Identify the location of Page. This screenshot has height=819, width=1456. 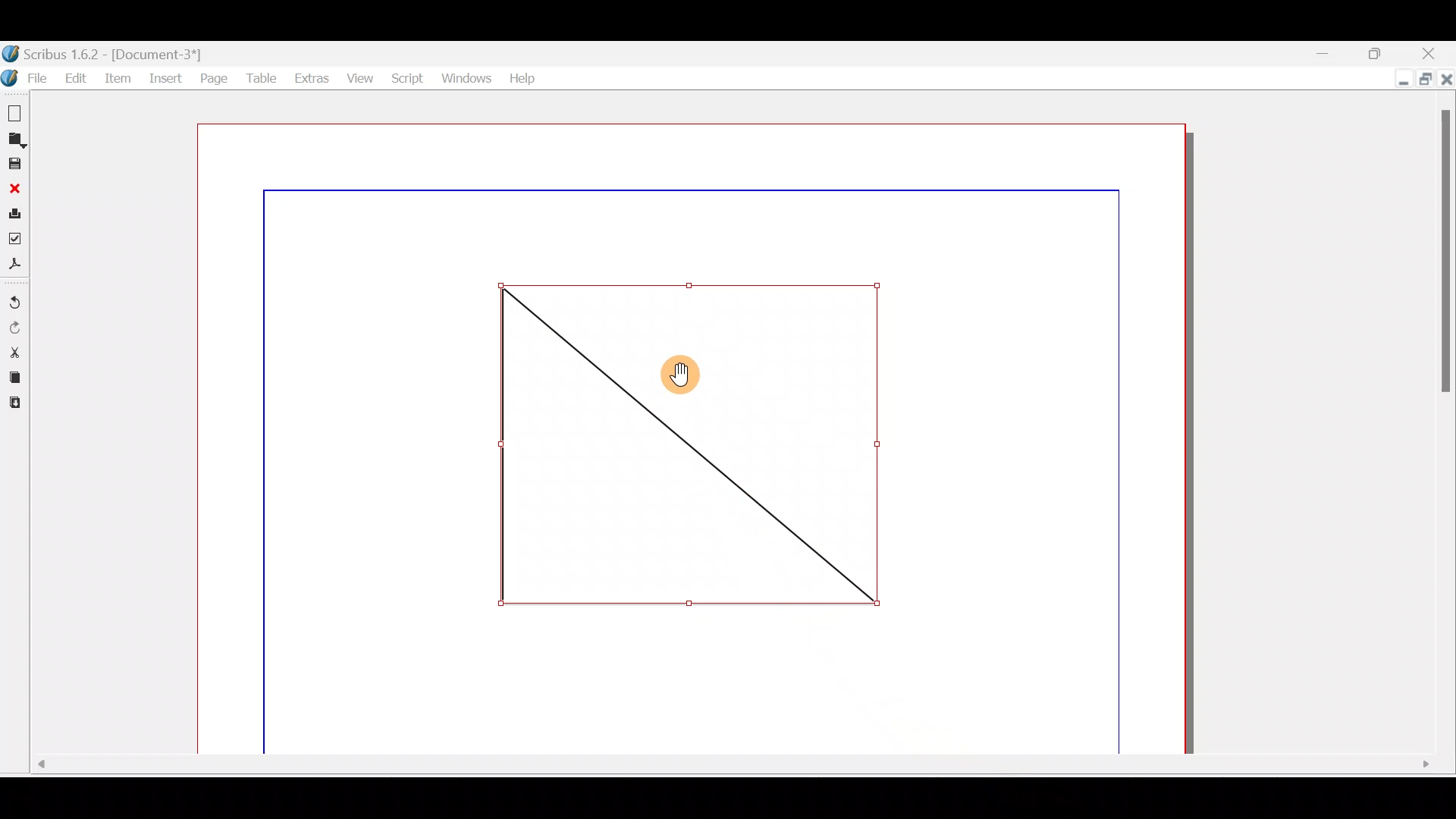
(213, 79).